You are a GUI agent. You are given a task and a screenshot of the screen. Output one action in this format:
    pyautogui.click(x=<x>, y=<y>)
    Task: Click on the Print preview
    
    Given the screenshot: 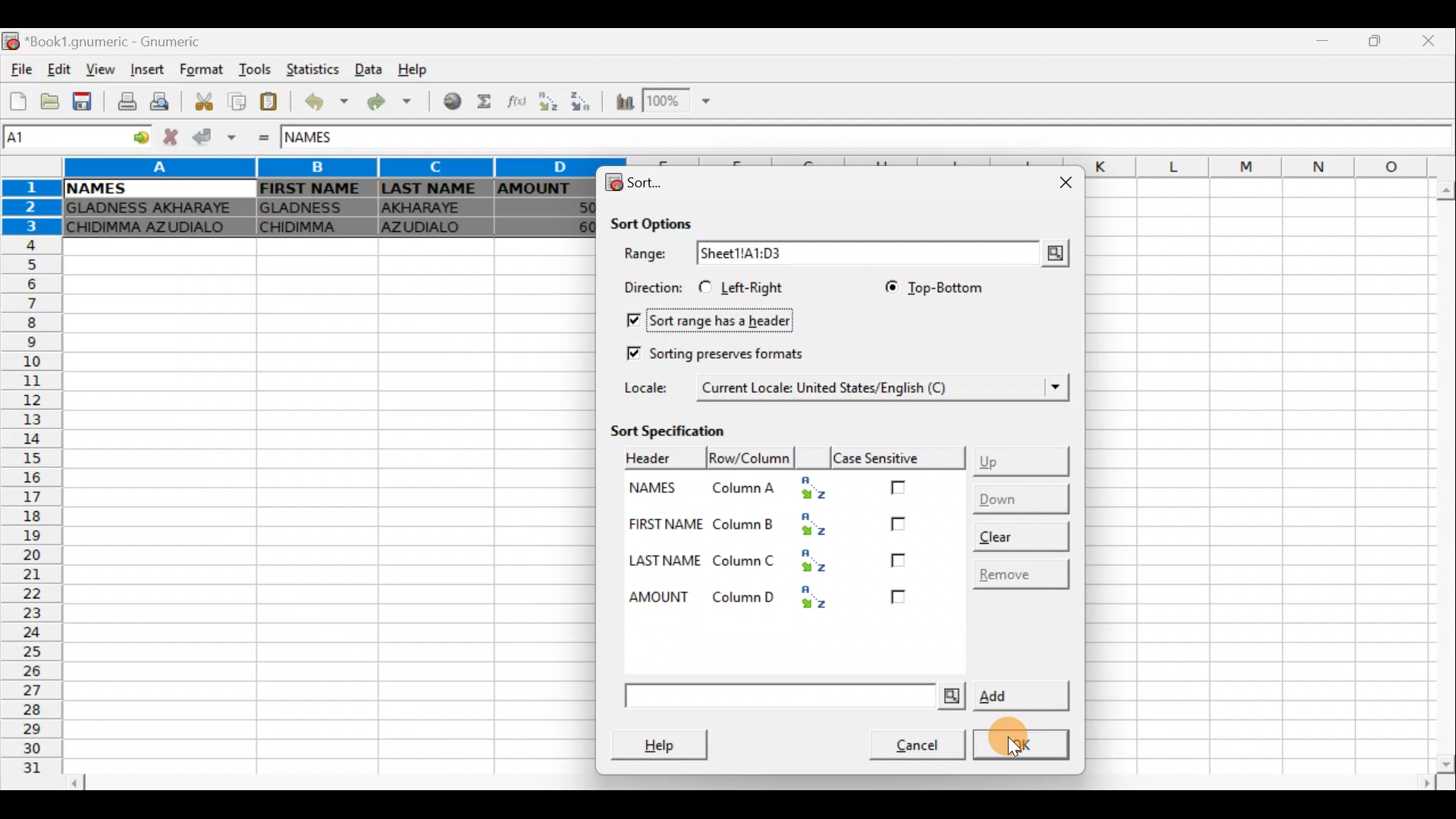 What is the action you would take?
    pyautogui.click(x=163, y=100)
    